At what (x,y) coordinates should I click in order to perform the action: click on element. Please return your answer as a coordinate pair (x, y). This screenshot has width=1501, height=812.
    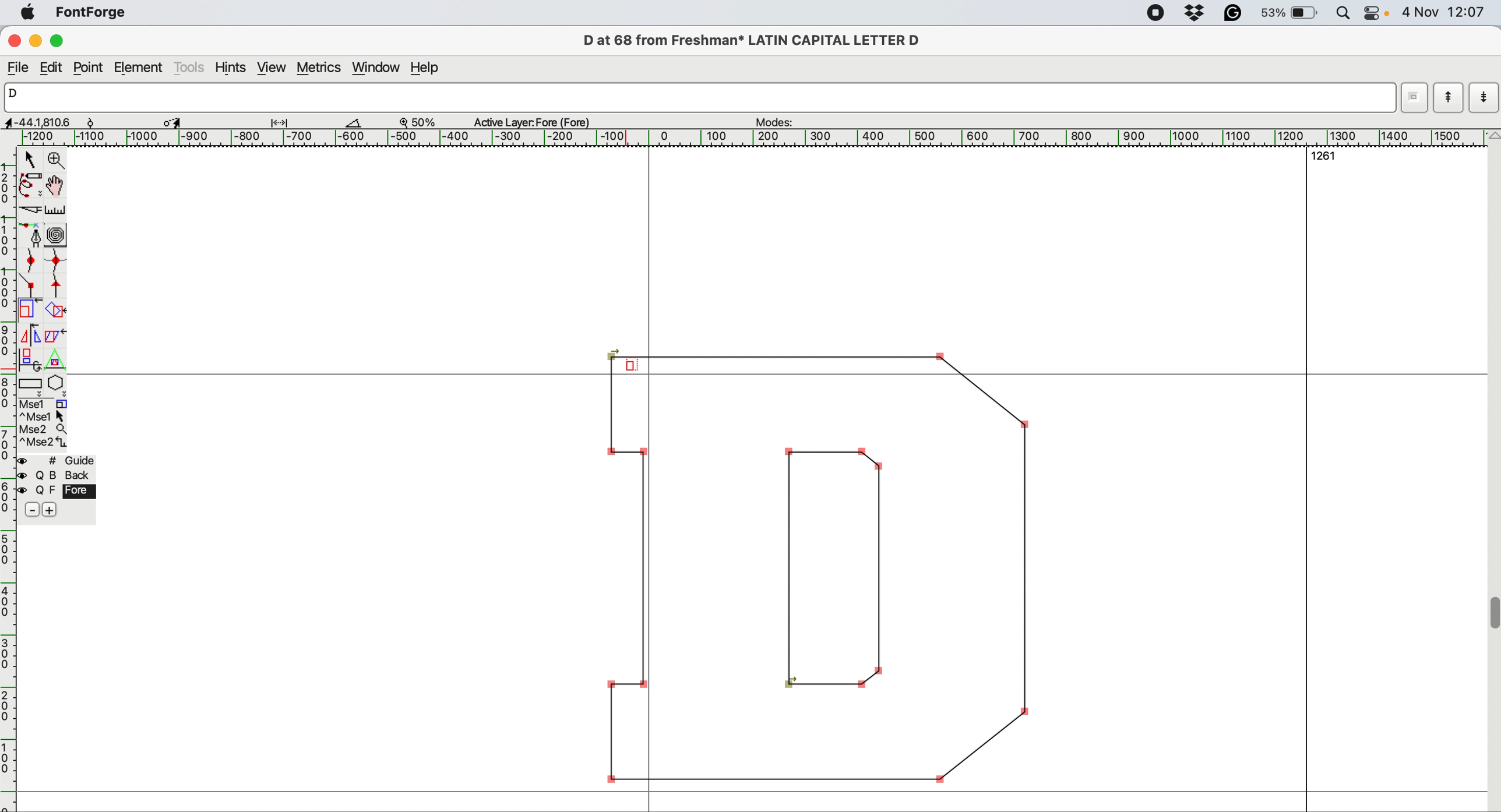
    Looking at the image, I should click on (139, 68).